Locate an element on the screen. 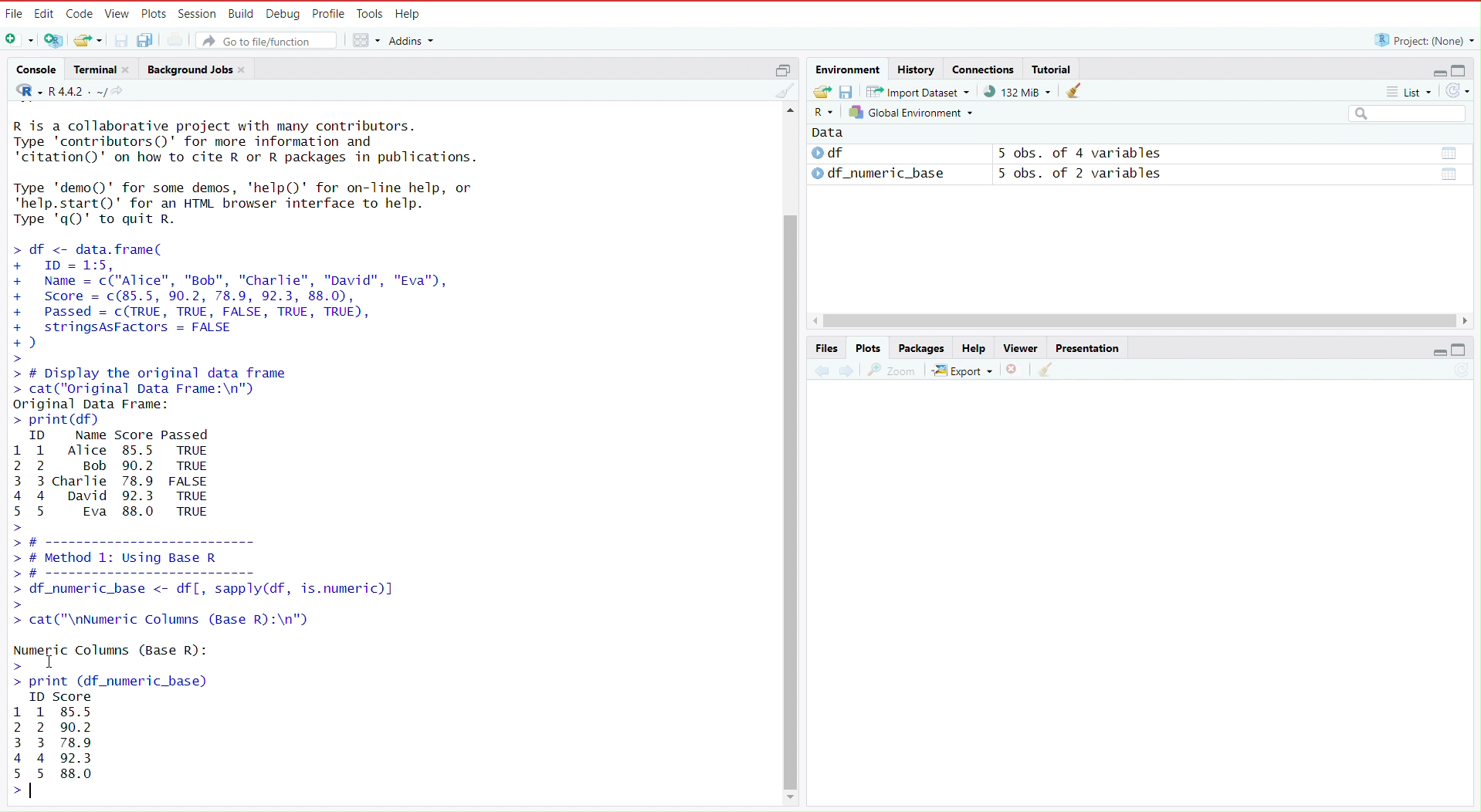 The image size is (1481, 812). Build is located at coordinates (240, 12).